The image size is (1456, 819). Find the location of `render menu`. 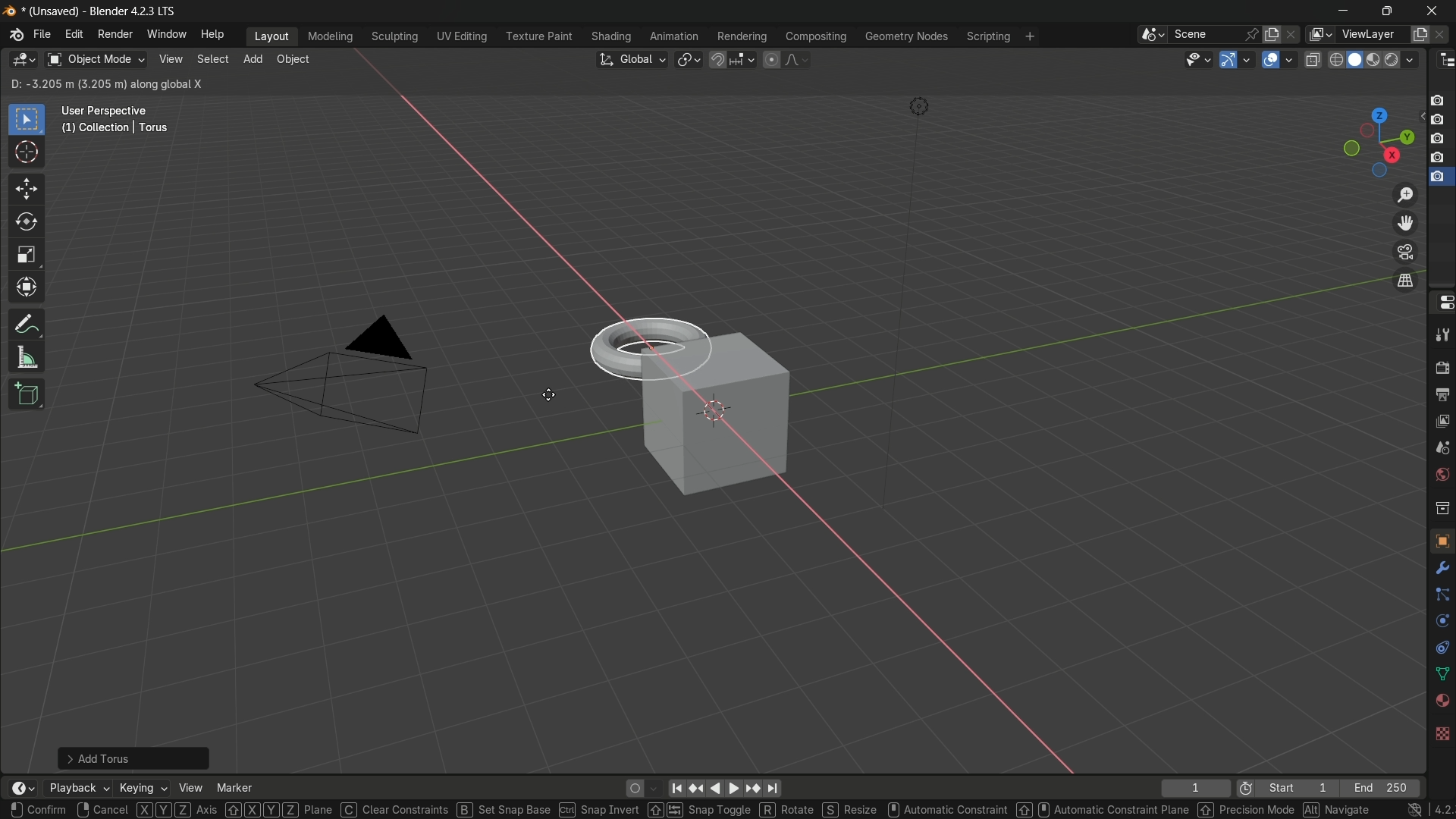

render menu is located at coordinates (115, 34).